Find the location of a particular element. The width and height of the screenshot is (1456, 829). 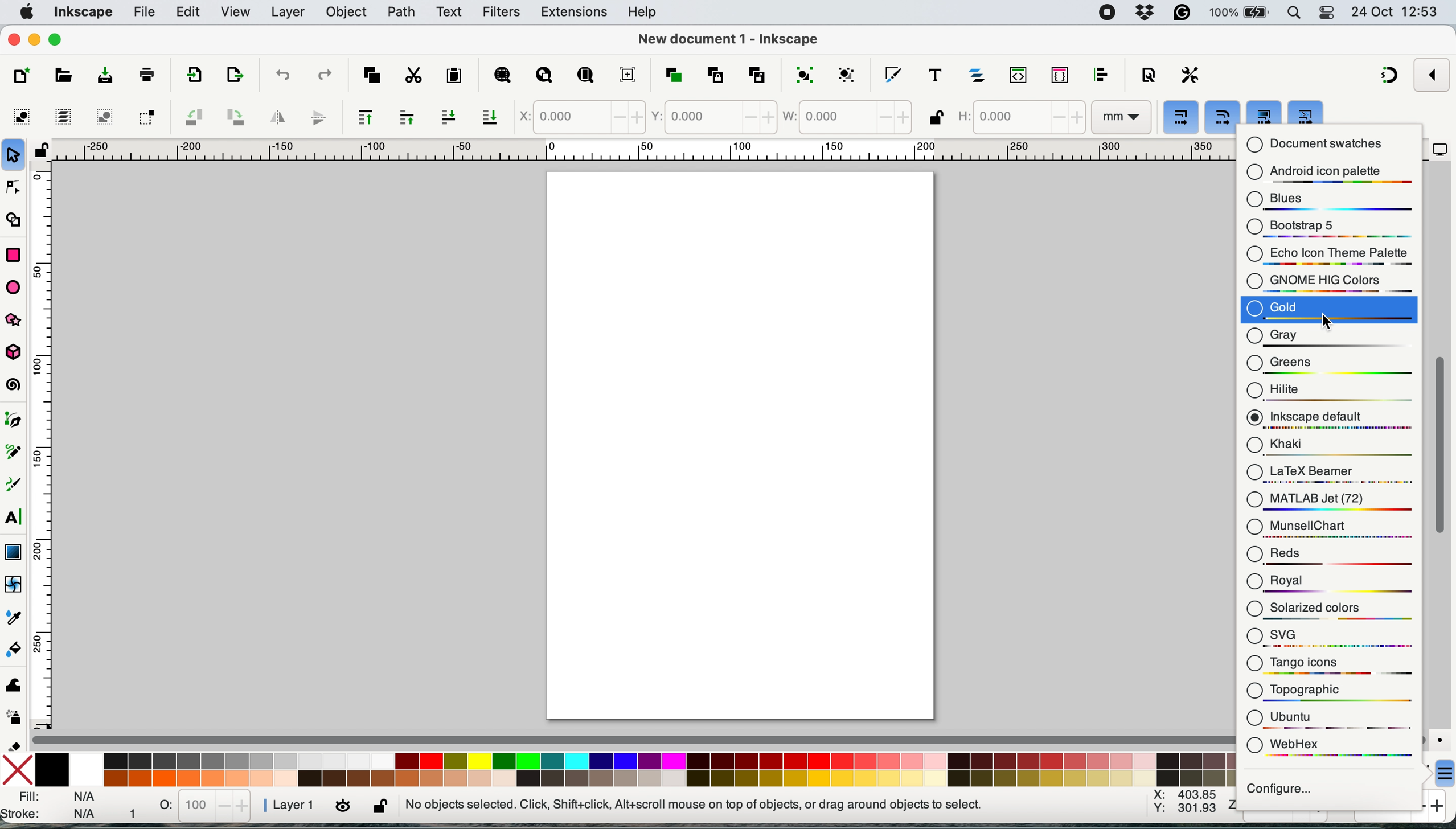

file is located at coordinates (145, 13).